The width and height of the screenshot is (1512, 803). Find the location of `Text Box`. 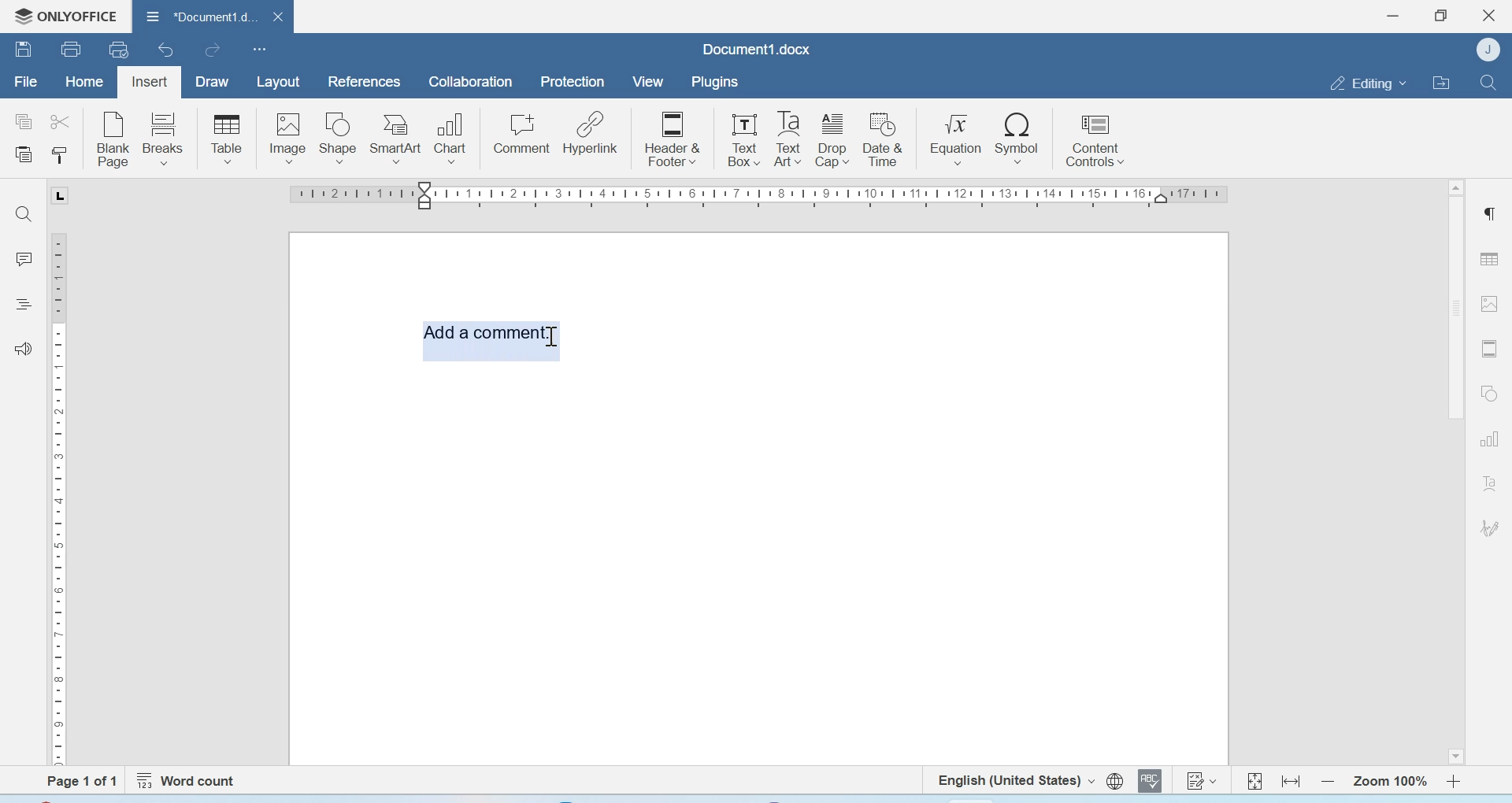

Text Box is located at coordinates (740, 139).